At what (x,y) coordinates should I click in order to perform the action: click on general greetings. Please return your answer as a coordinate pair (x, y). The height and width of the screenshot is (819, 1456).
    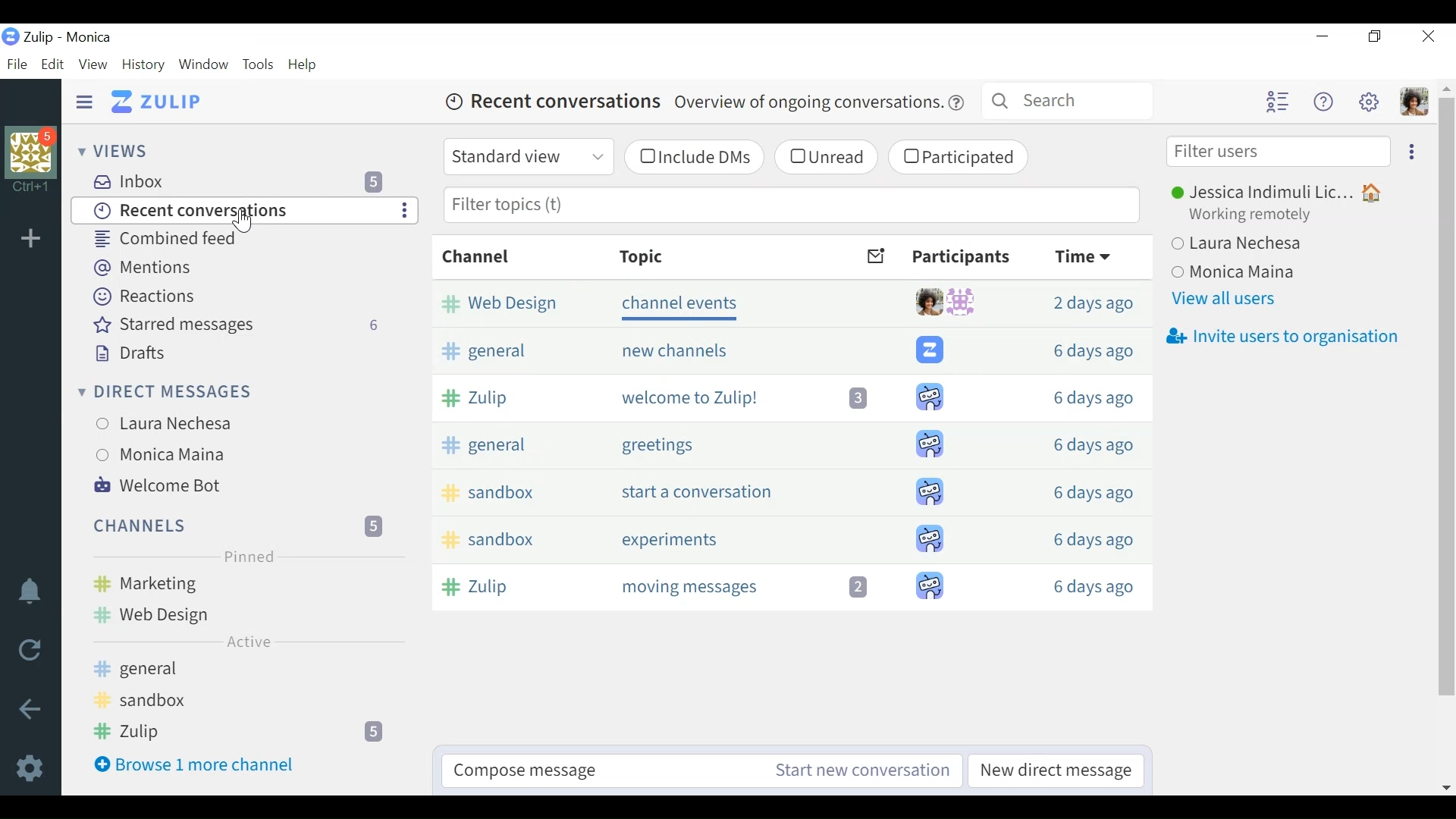
    Looking at the image, I should click on (789, 439).